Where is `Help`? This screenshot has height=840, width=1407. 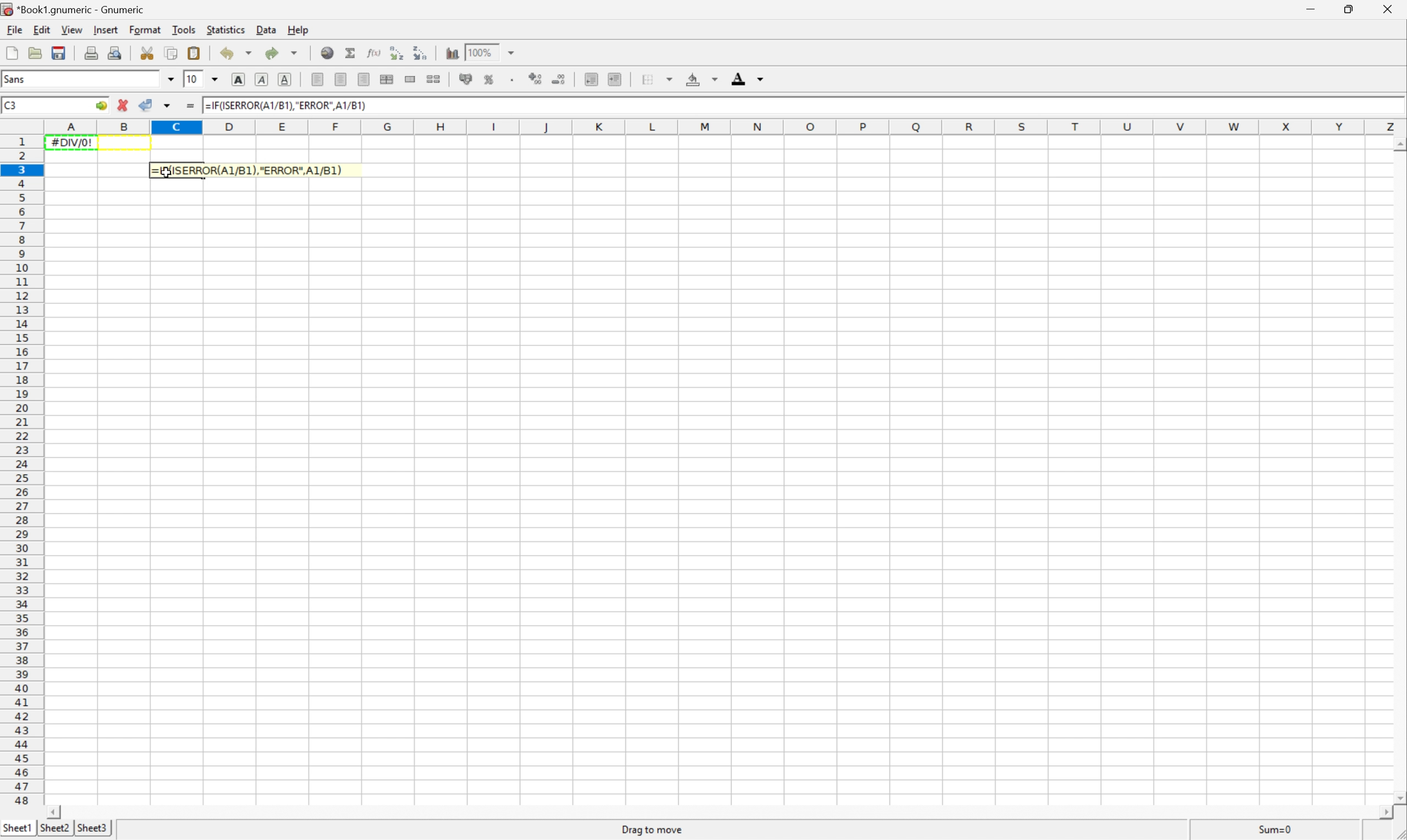
Help is located at coordinates (297, 29).